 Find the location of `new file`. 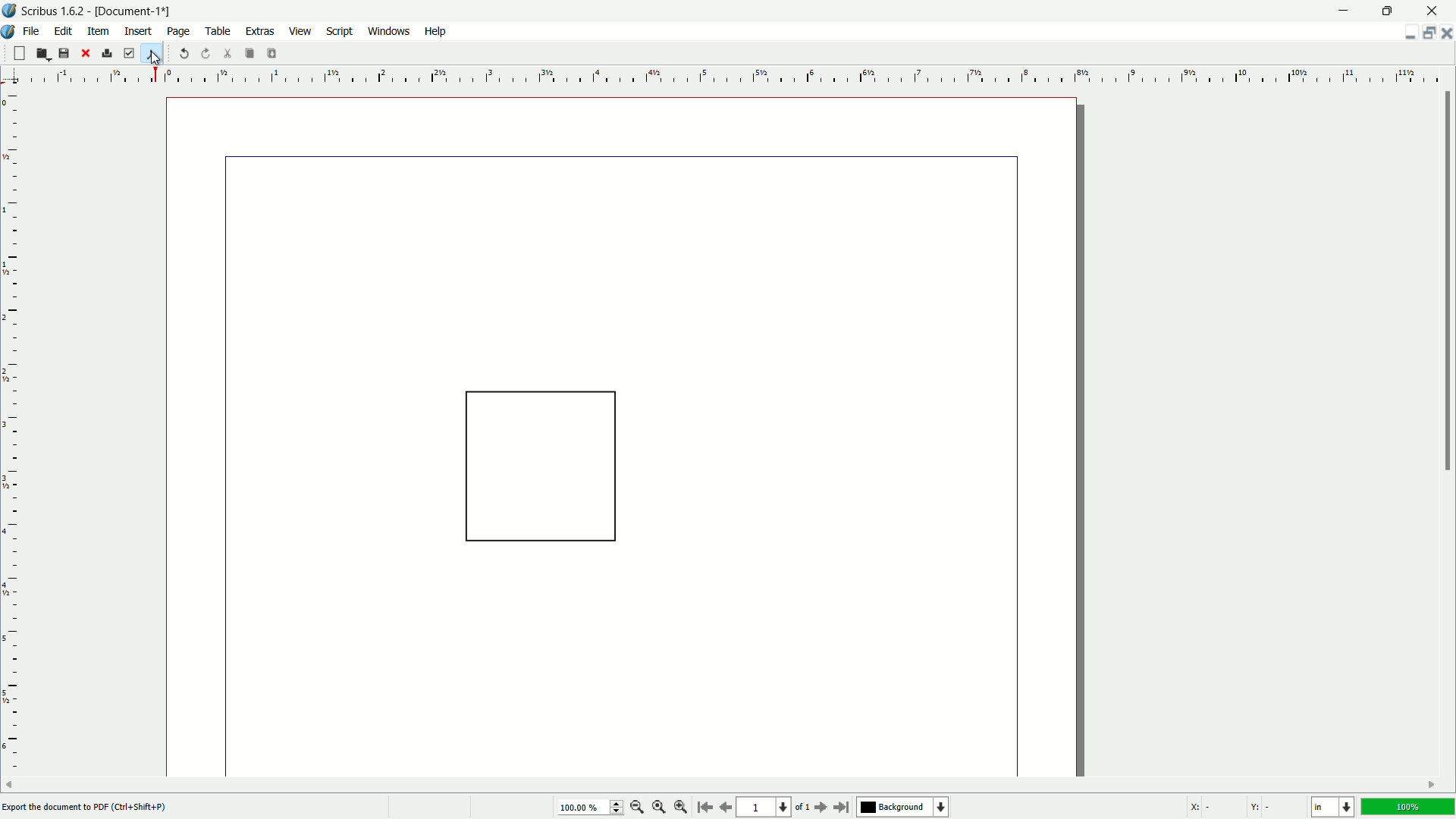

new file is located at coordinates (18, 53).